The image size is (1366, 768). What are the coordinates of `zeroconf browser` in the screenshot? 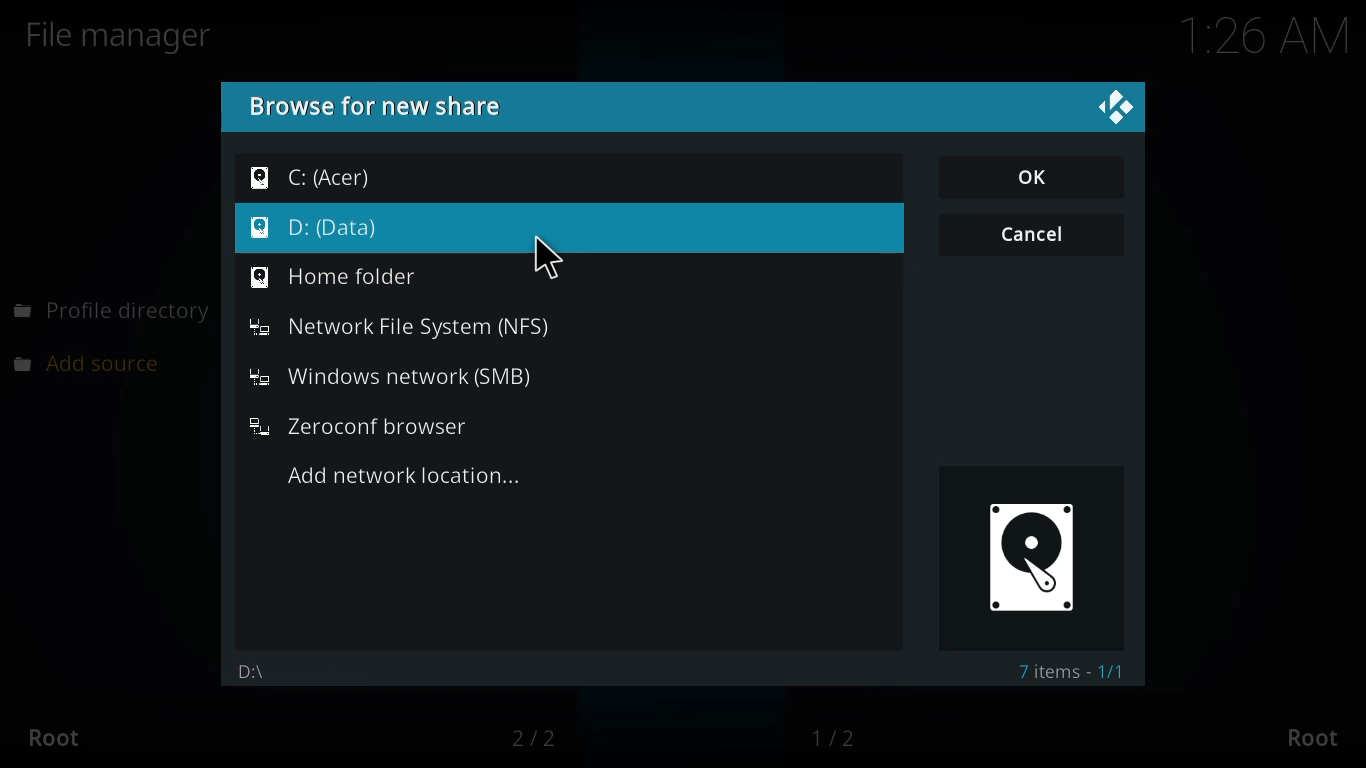 It's located at (361, 426).